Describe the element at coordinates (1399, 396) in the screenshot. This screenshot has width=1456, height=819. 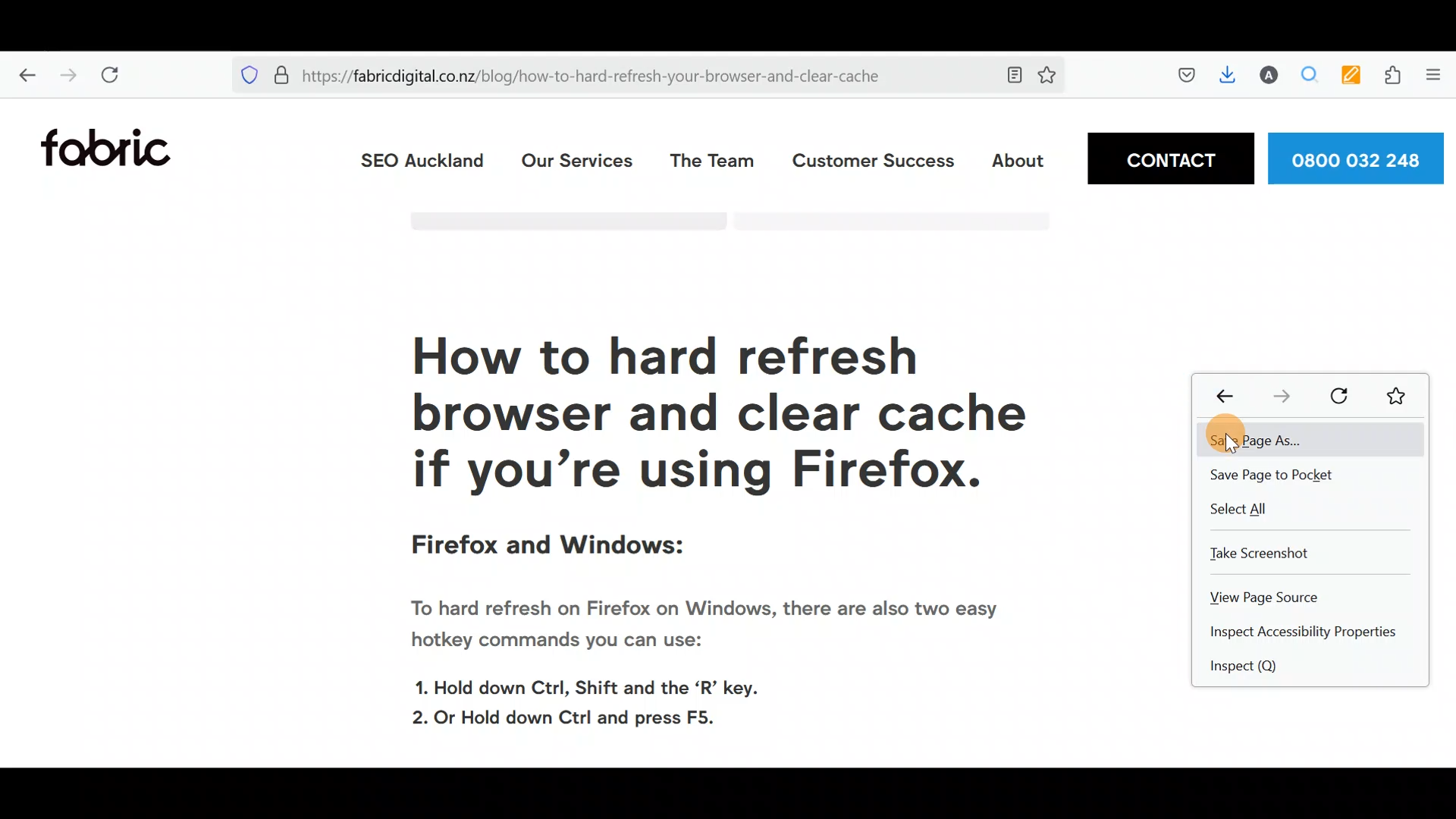
I see `Bookmark this page` at that location.